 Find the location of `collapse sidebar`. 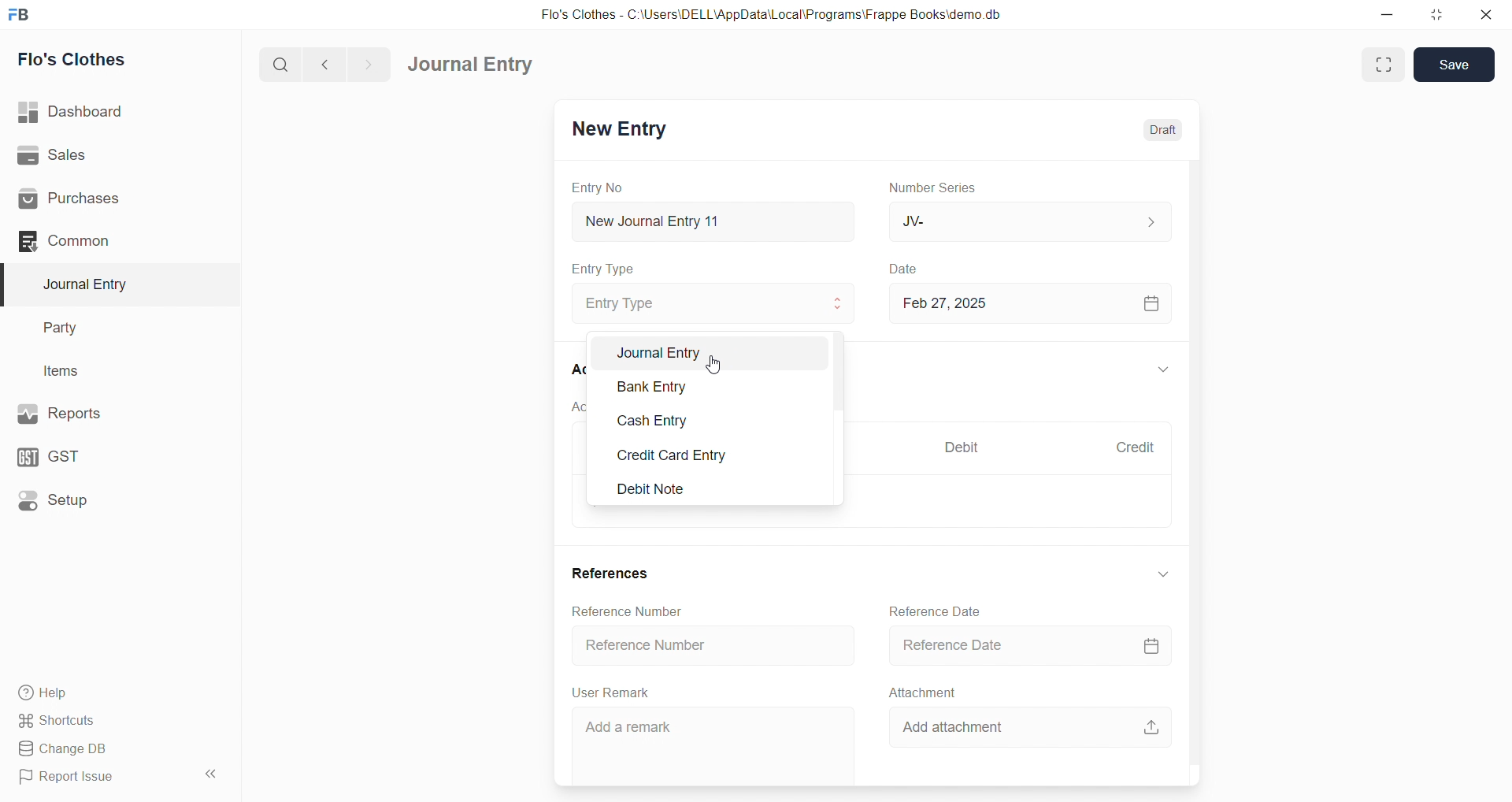

collapse sidebar is located at coordinates (213, 774).